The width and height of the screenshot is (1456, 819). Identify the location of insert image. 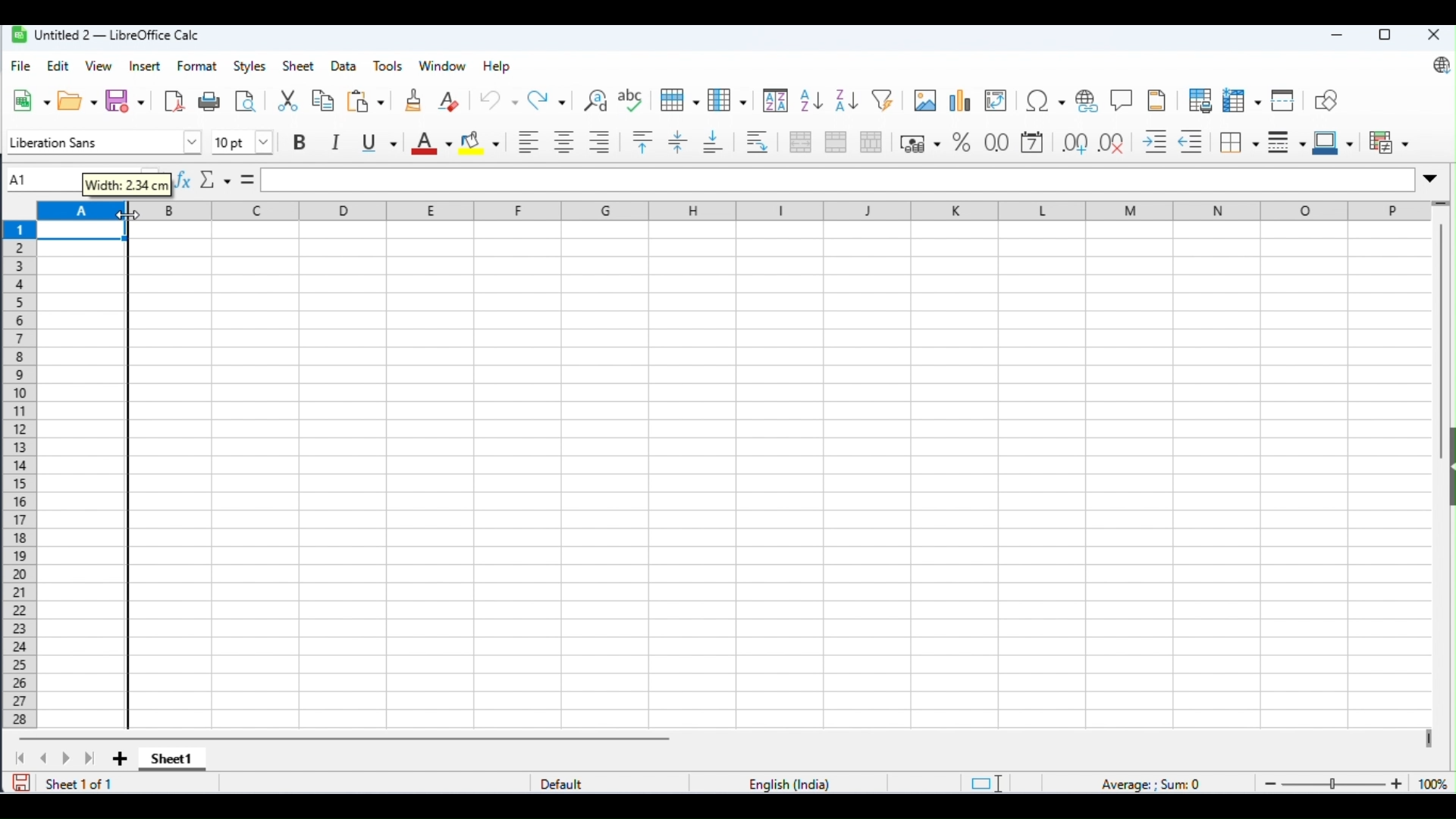
(924, 100).